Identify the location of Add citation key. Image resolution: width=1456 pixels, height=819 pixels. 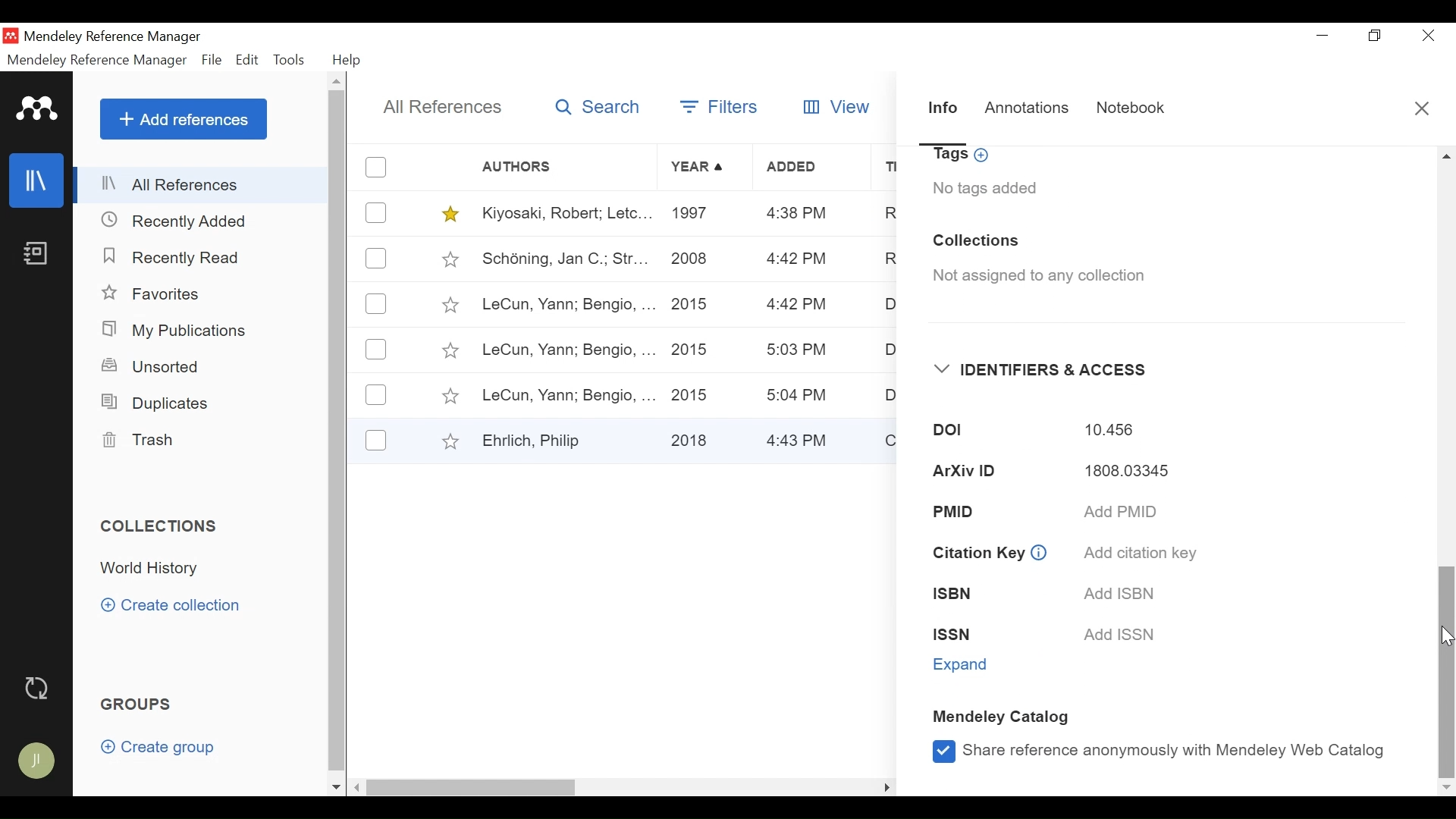
(1137, 553).